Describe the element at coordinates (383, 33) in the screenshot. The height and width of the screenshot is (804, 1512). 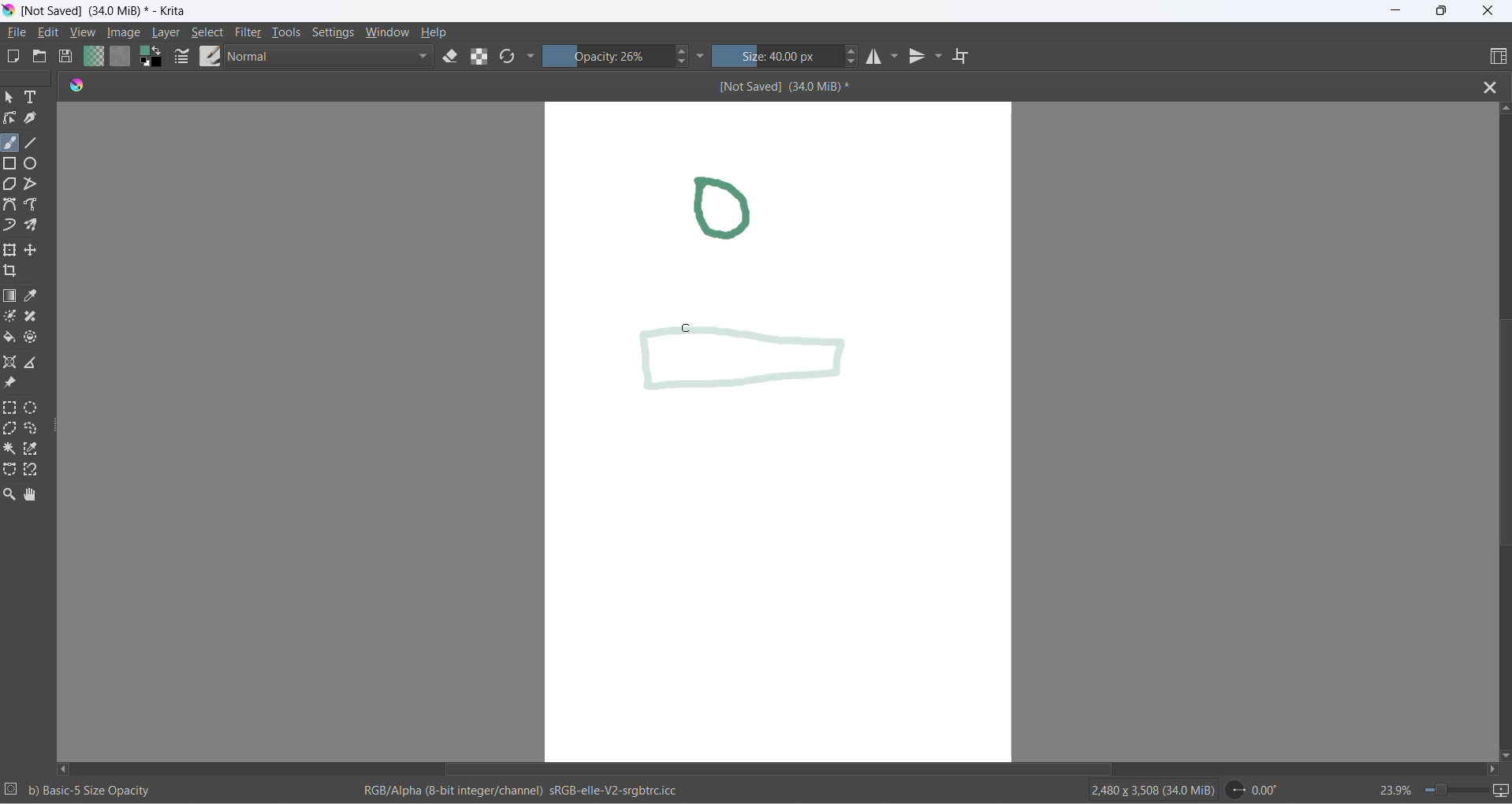
I see `window` at that location.